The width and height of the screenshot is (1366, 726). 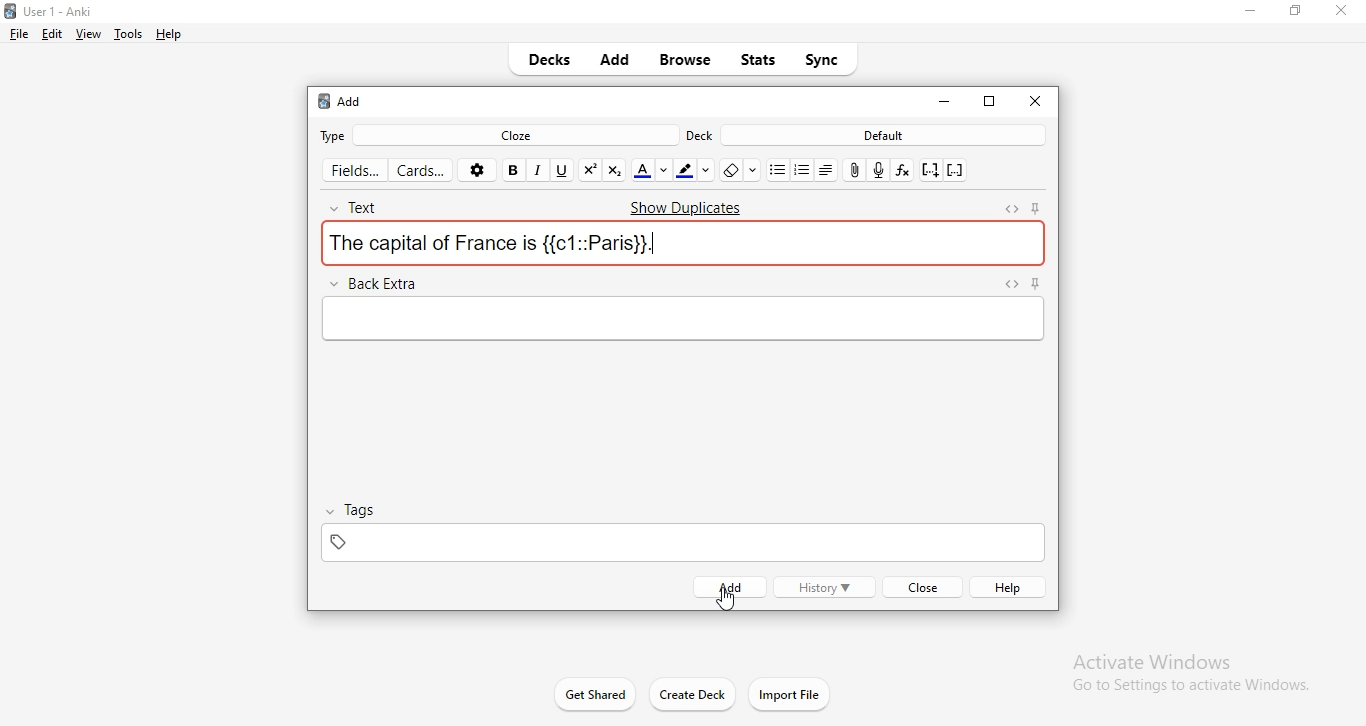 I want to click on close, so click(x=920, y=588).